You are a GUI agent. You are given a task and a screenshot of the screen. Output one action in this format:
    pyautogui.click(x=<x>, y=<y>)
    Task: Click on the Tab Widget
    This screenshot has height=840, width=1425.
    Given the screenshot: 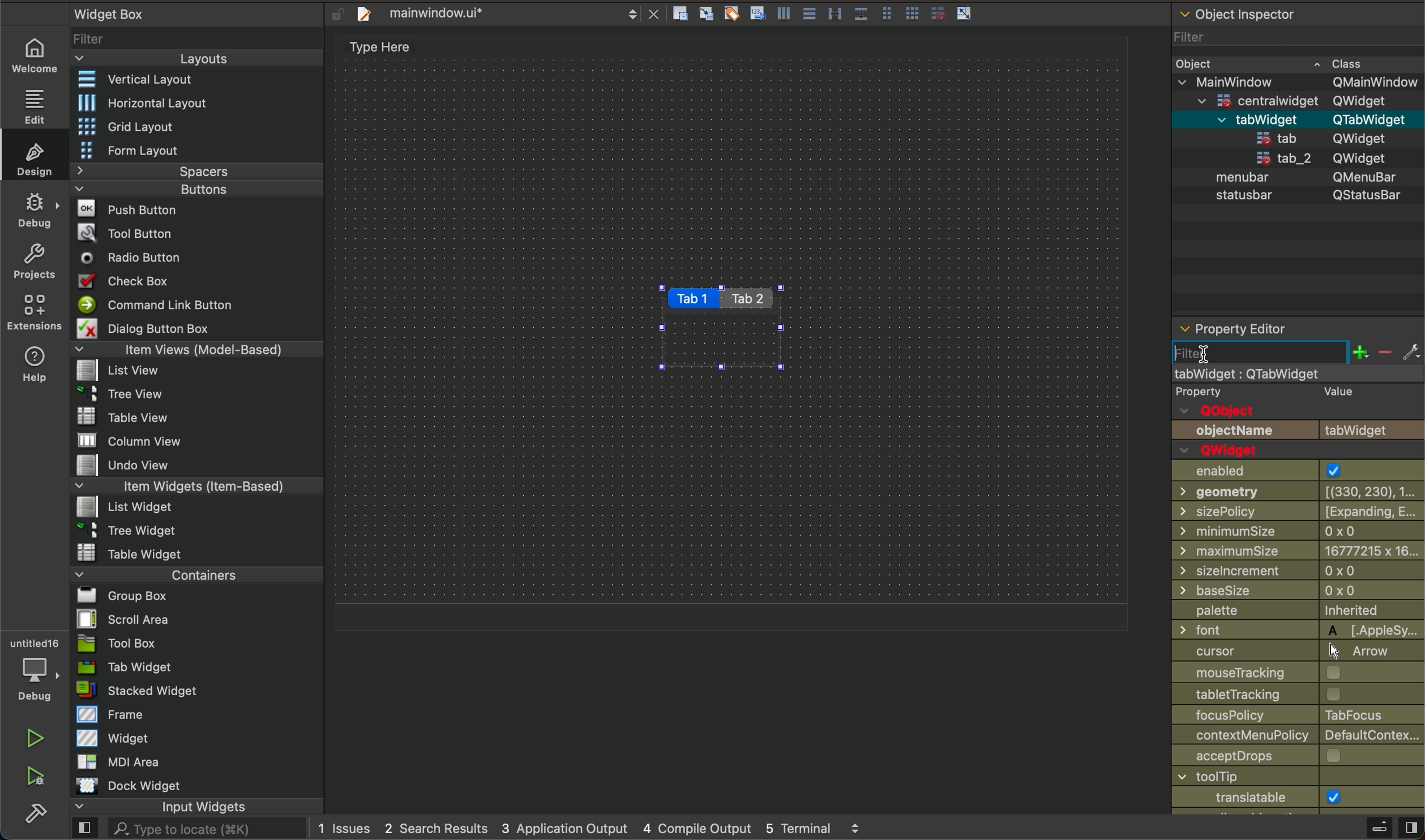 What is the action you would take?
    pyautogui.click(x=134, y=667)
    